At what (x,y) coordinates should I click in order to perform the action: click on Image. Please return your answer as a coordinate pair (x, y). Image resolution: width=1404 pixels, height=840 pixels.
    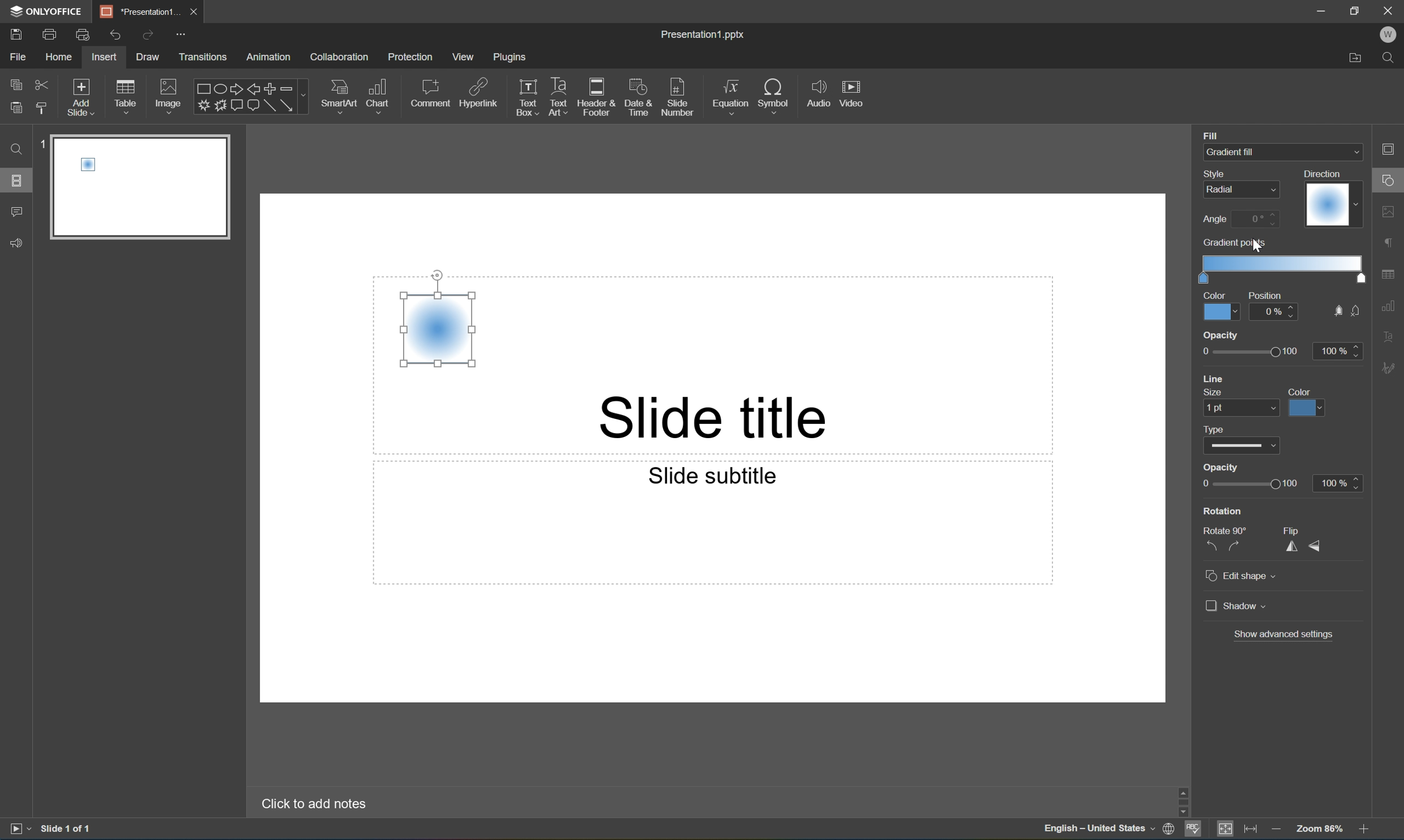
    Looking at the image, I should click on (169, 95).